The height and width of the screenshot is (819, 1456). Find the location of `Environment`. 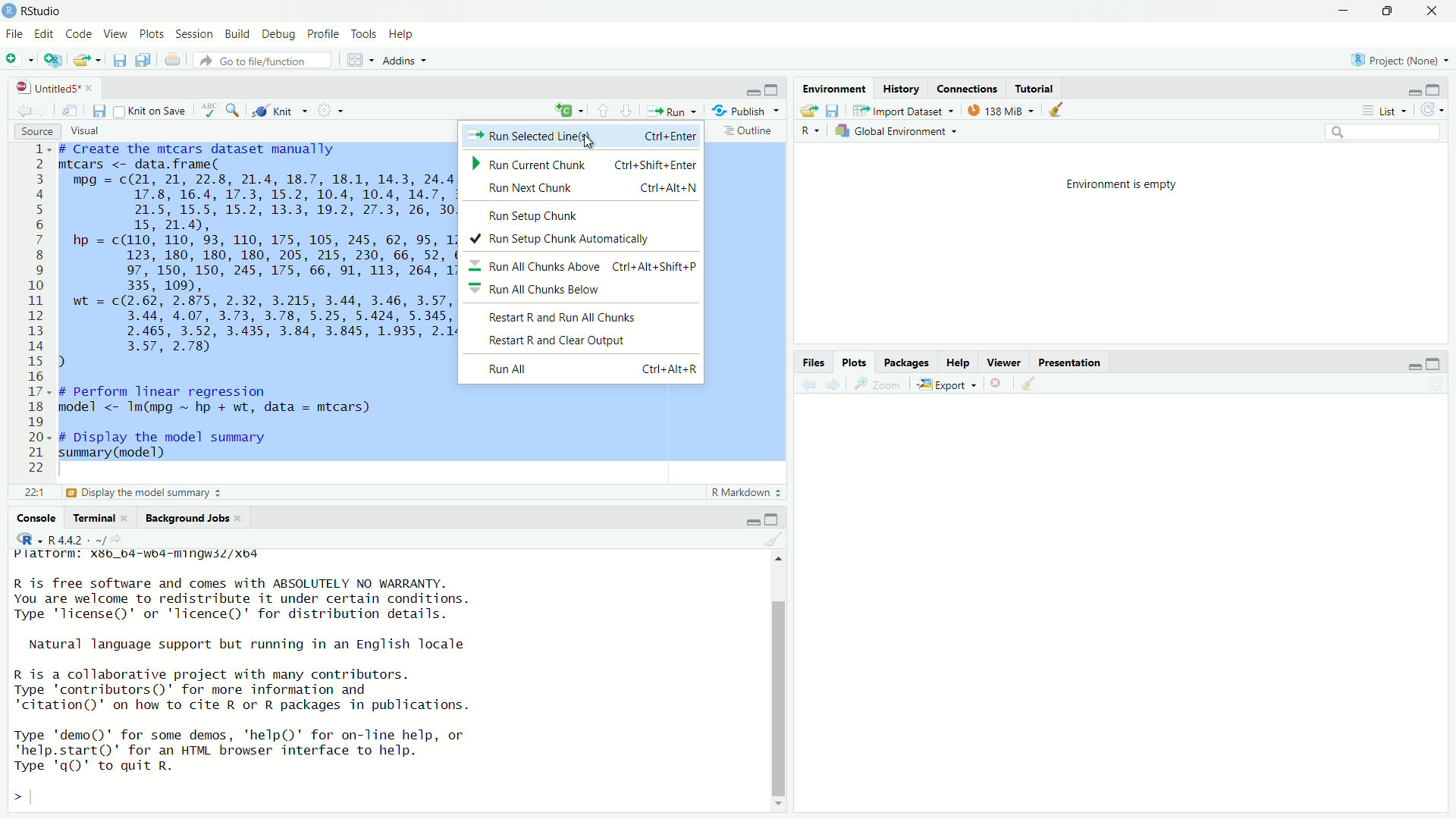

Environment is located at coordinates (833, 89).